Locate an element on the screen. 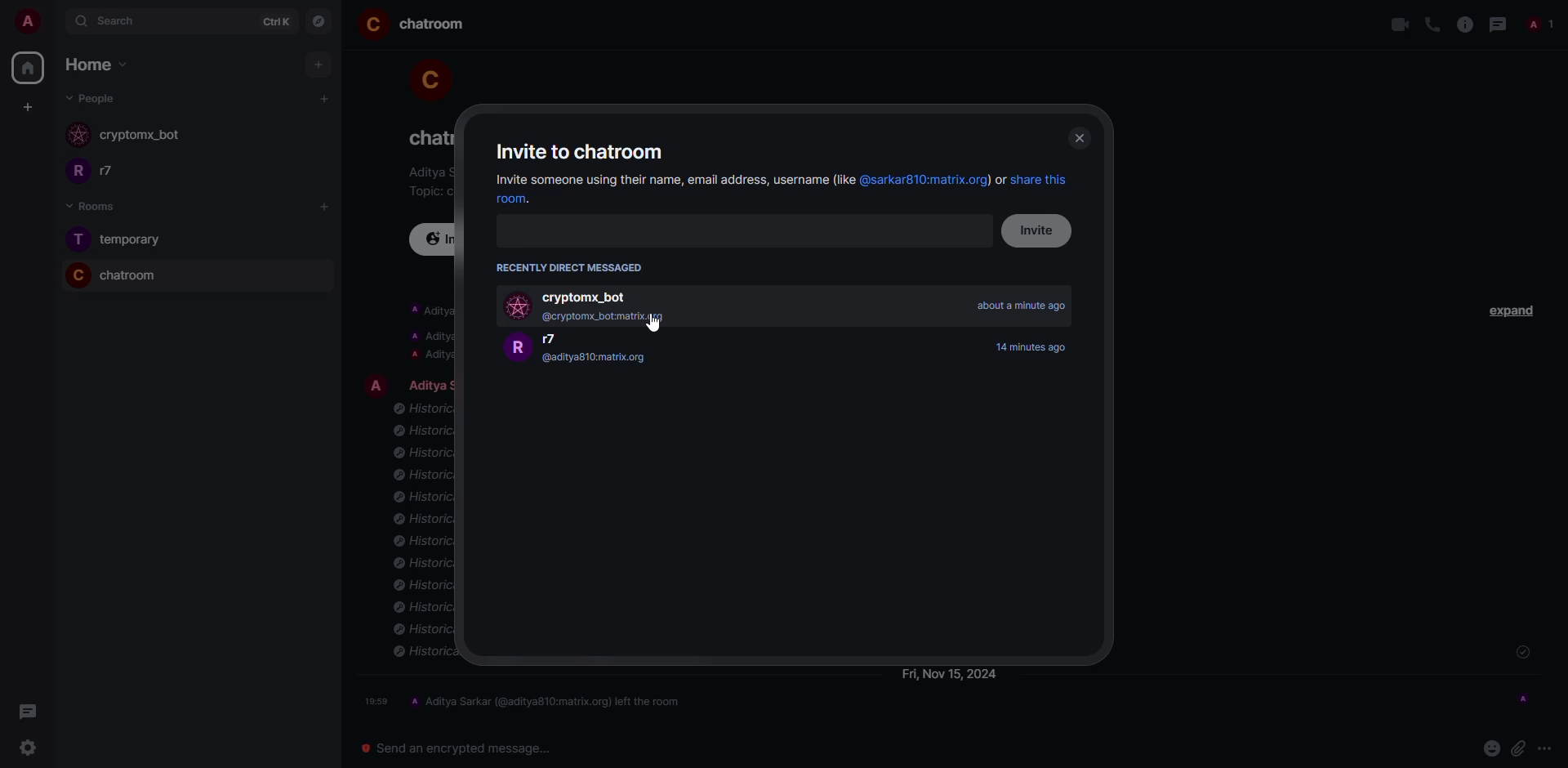 Image resolution: width=1568 pixels, height=768 pixels. profile image is located at coordinates (79, 136).